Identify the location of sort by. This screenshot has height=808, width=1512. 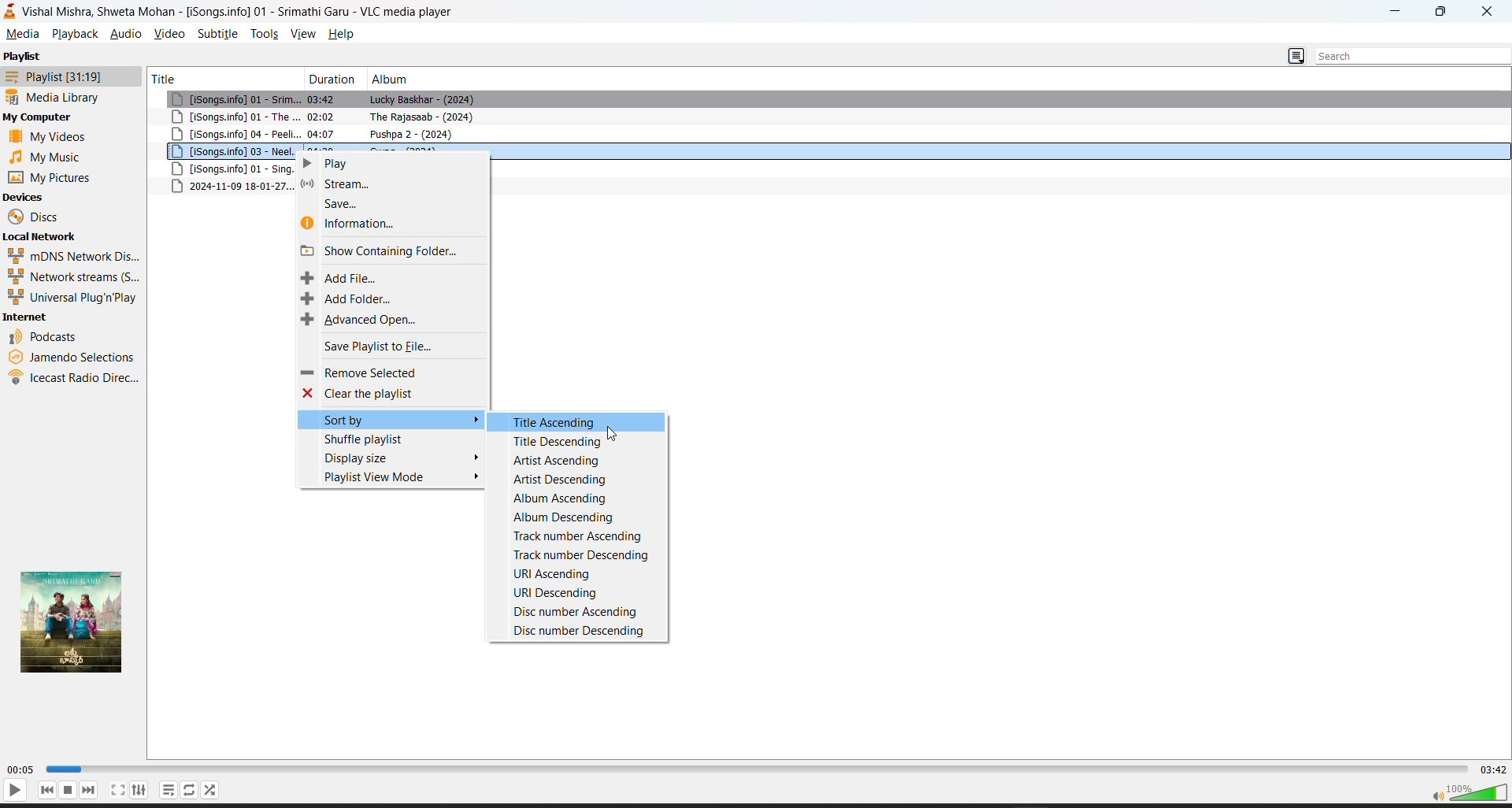
(391, 420).